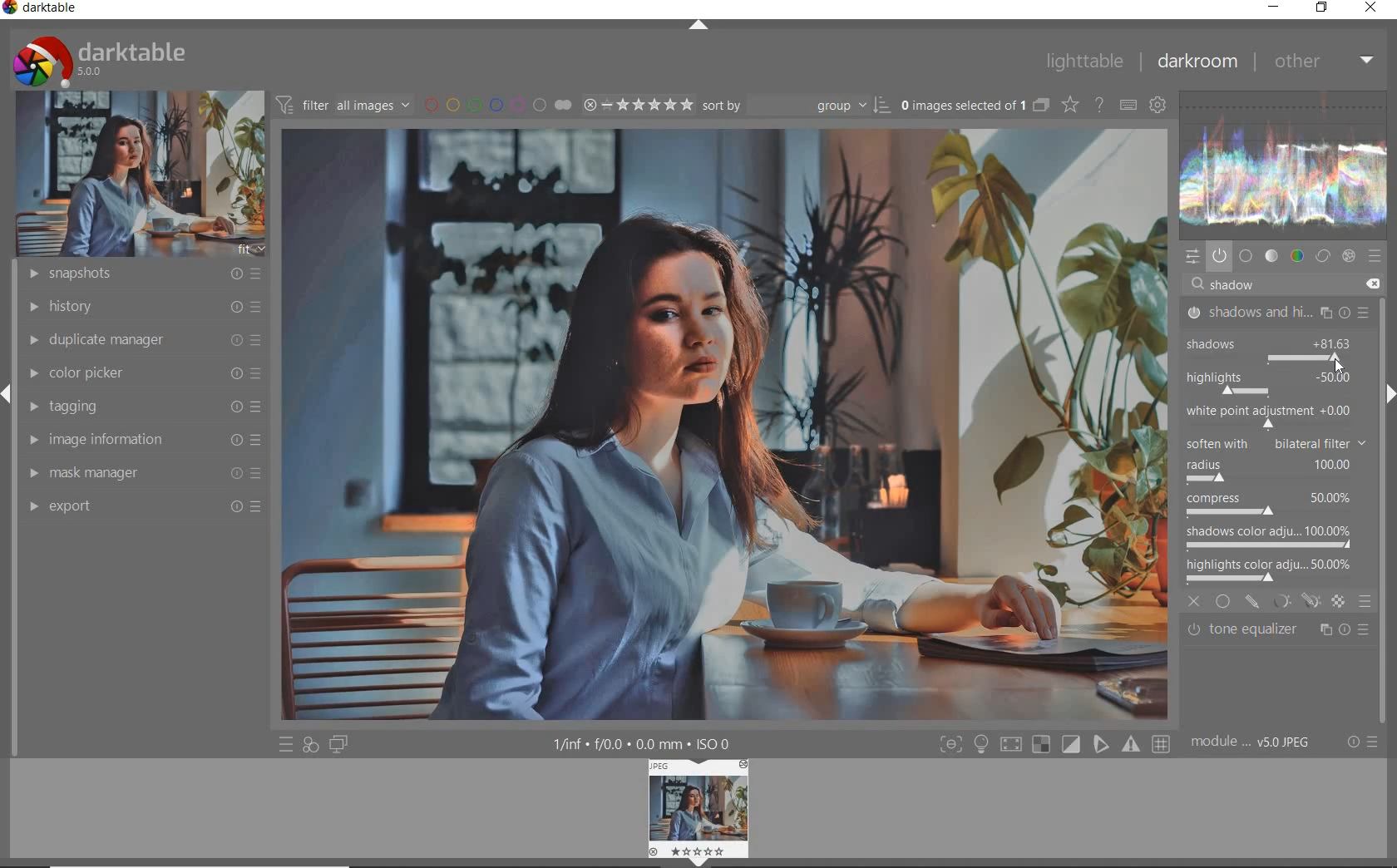 This screenshot has height=868, width=1397. I want to click on masking options, so click(1296, 601).